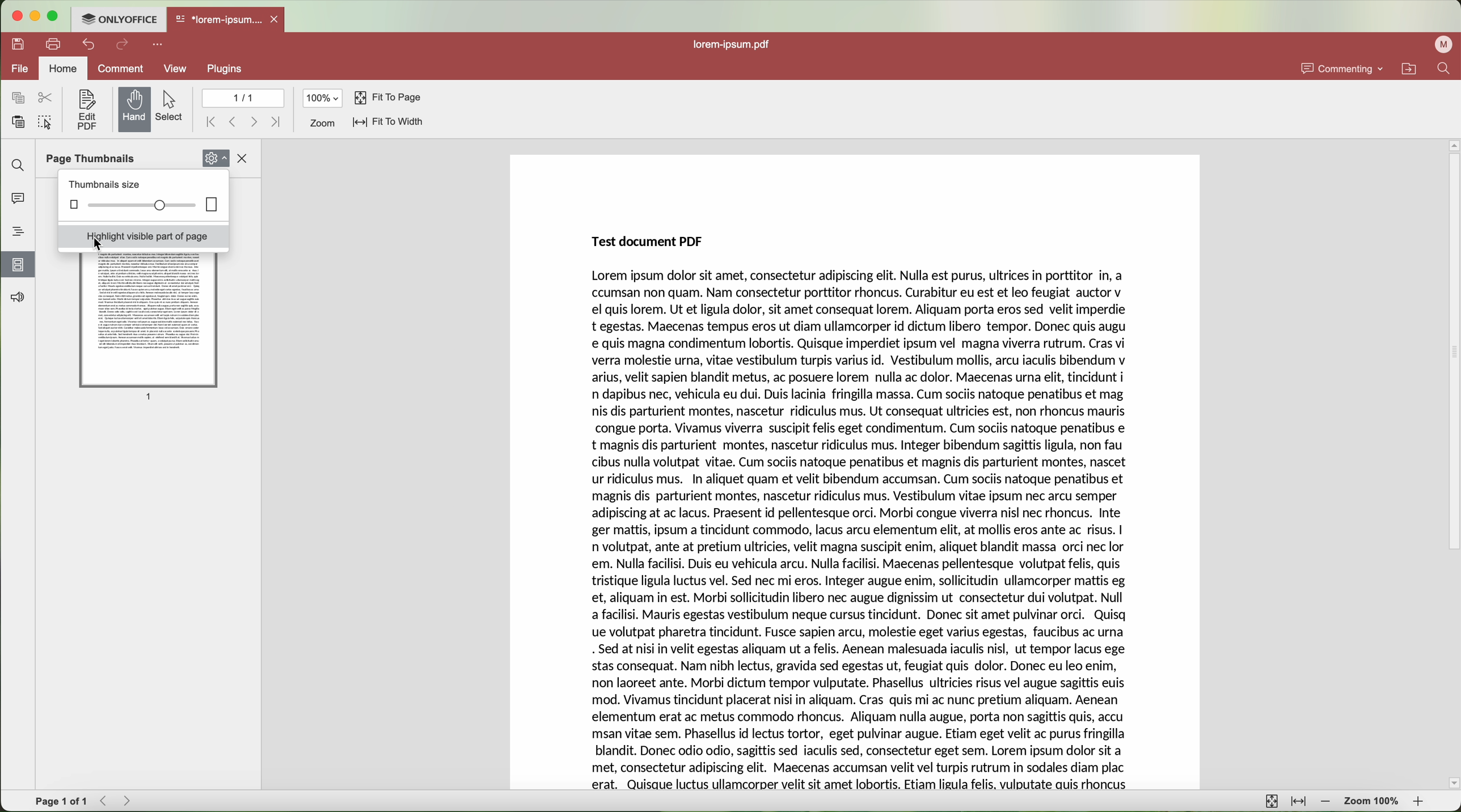 The image size is (1461, 812). I want to click on 1, so click(151, 397).